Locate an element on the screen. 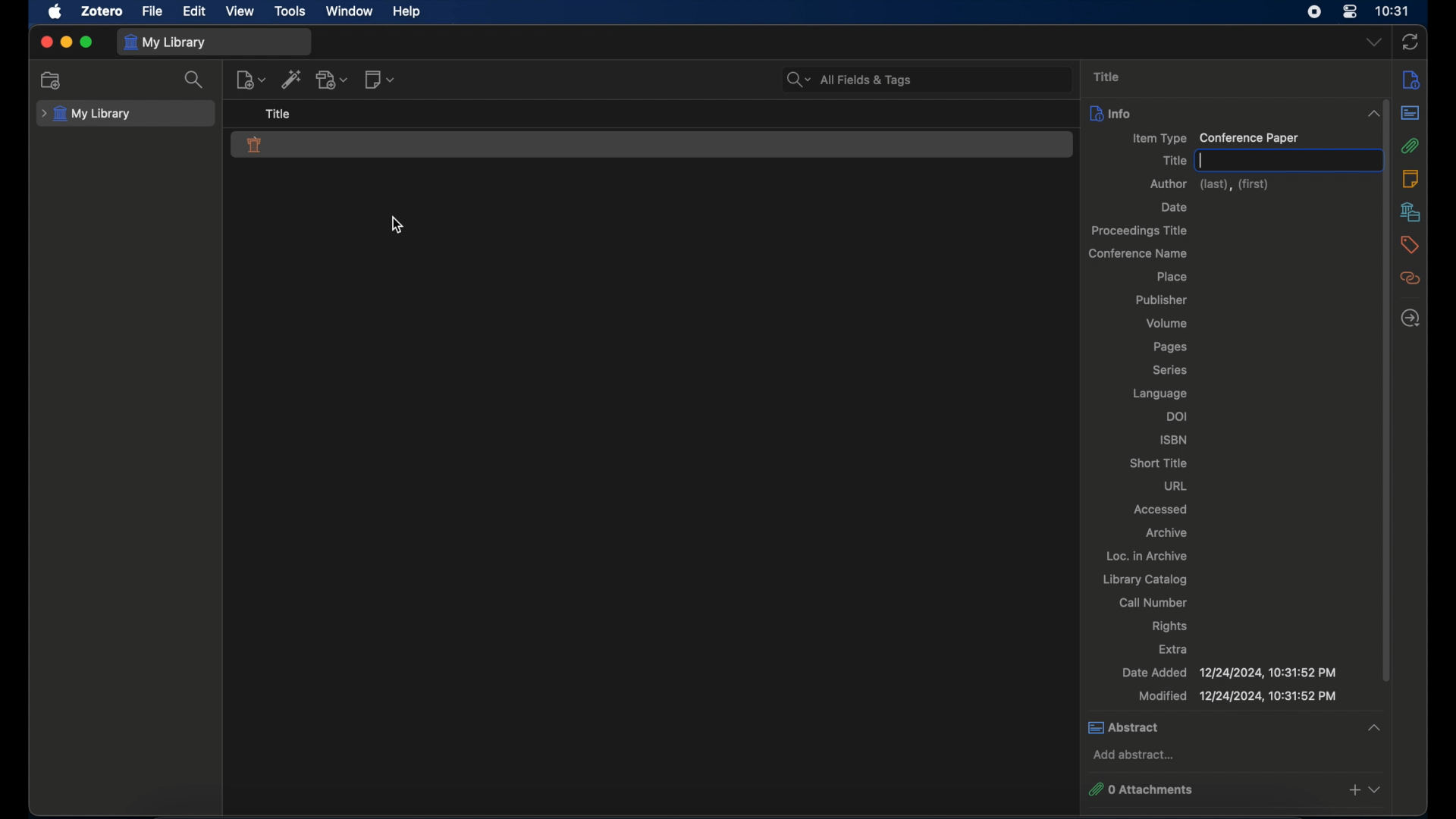  title is located at coordinates (279, 113).